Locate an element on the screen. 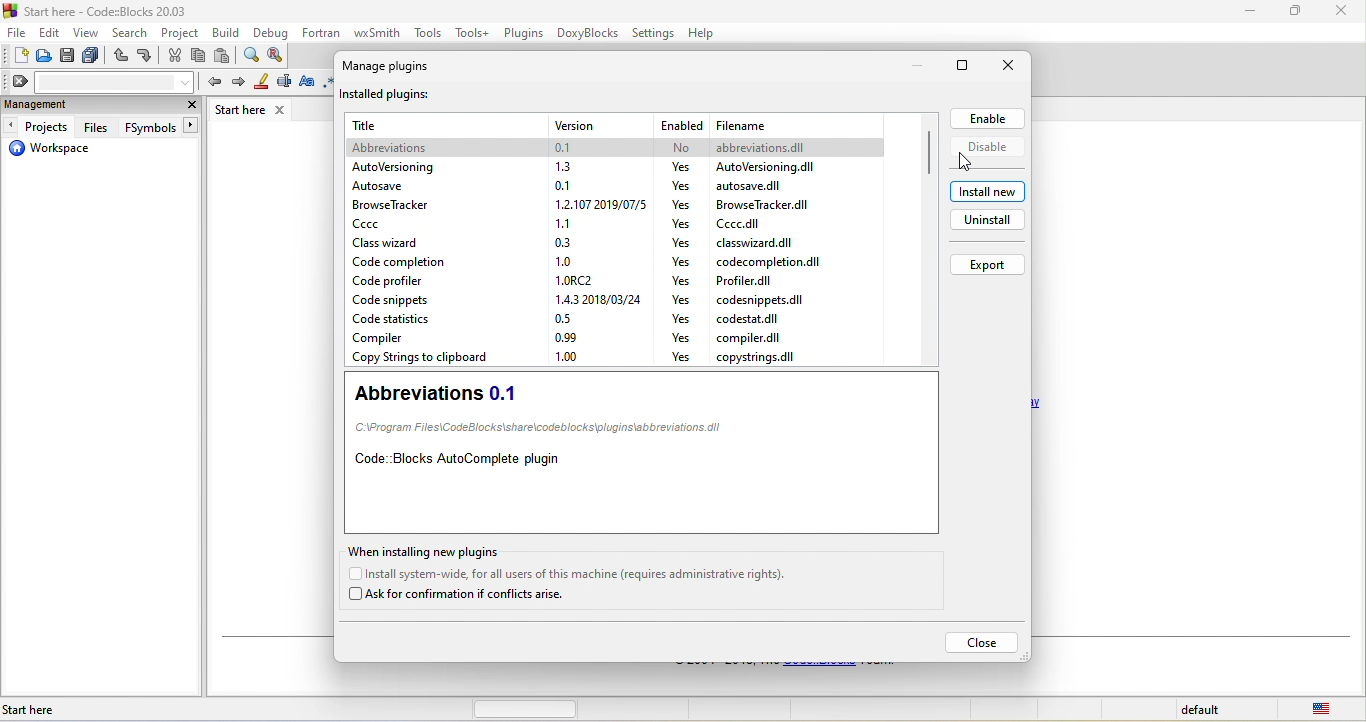  file is located at coordinates (758, 357).